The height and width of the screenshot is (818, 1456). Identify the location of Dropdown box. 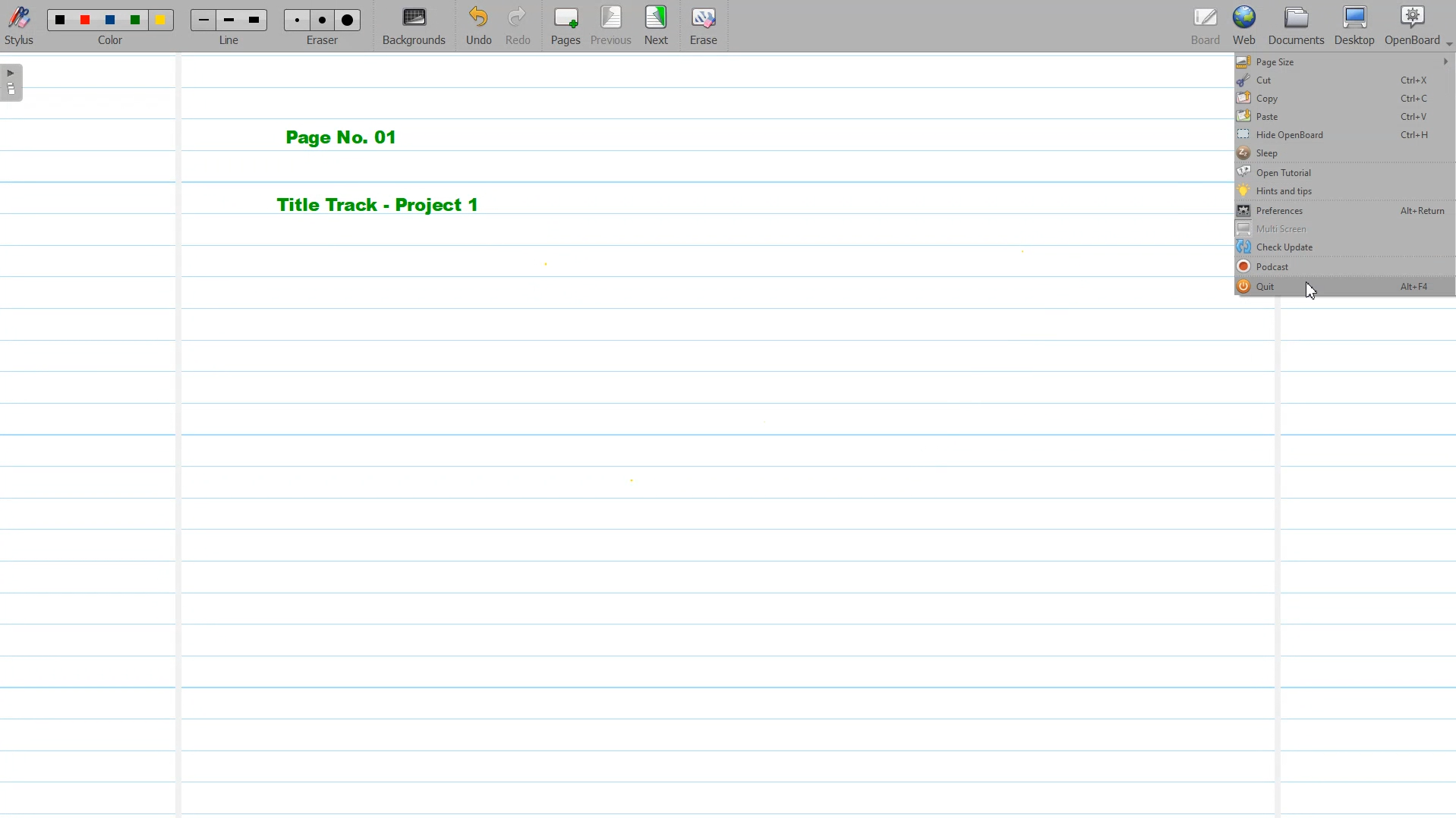
(1447, 47).